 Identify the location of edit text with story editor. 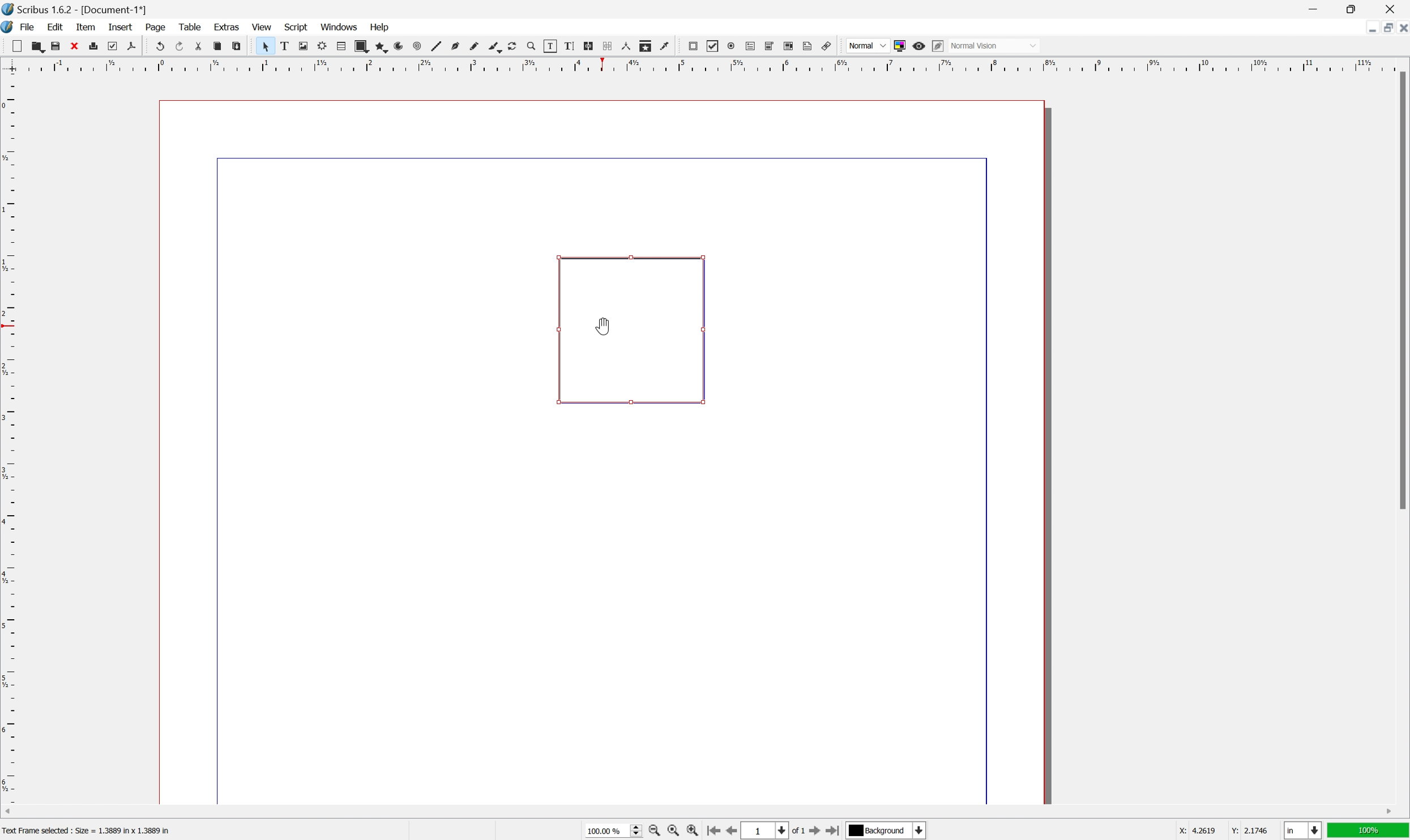
(569, 46).